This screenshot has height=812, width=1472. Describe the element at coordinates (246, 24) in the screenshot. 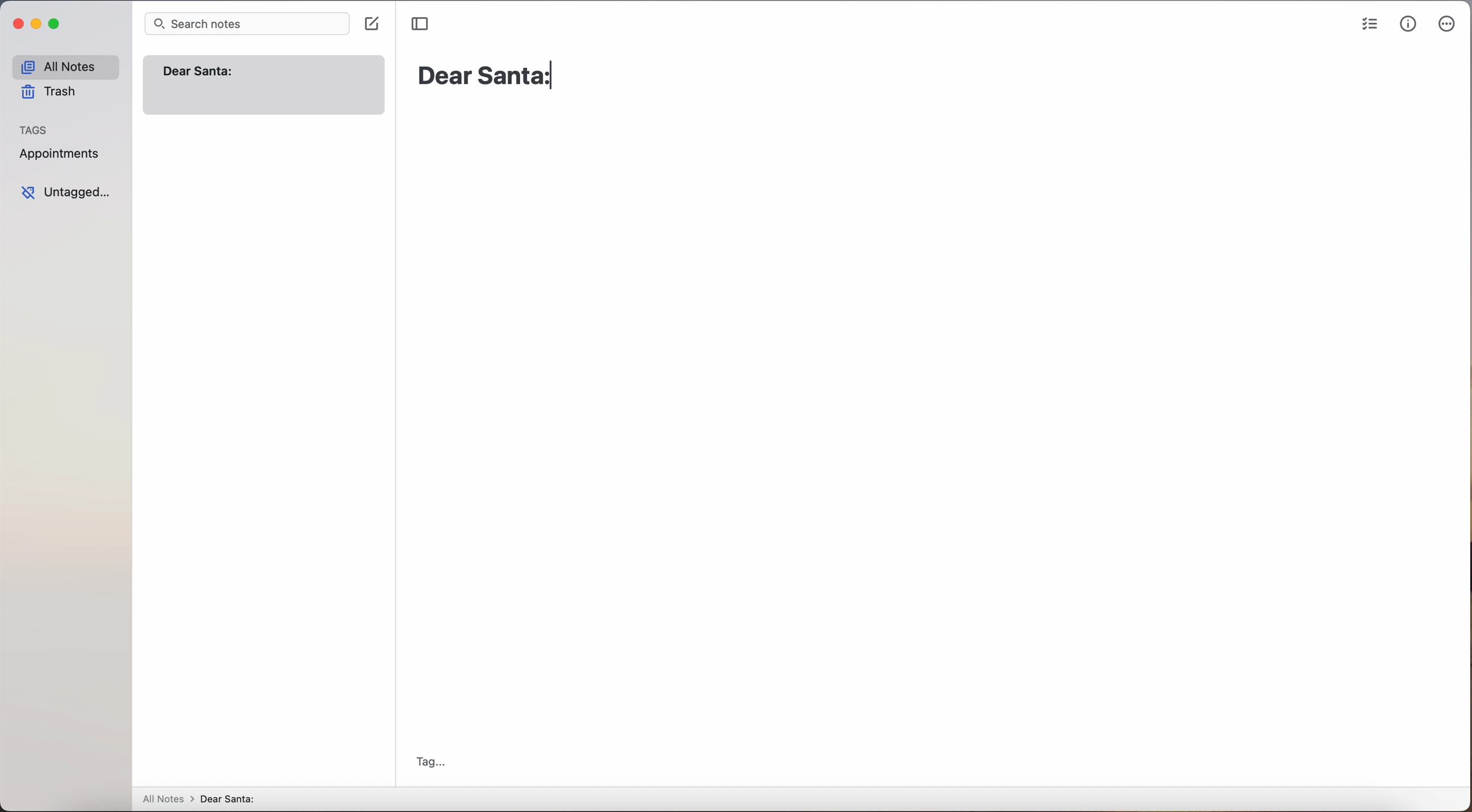

I see `search bar` at that location.